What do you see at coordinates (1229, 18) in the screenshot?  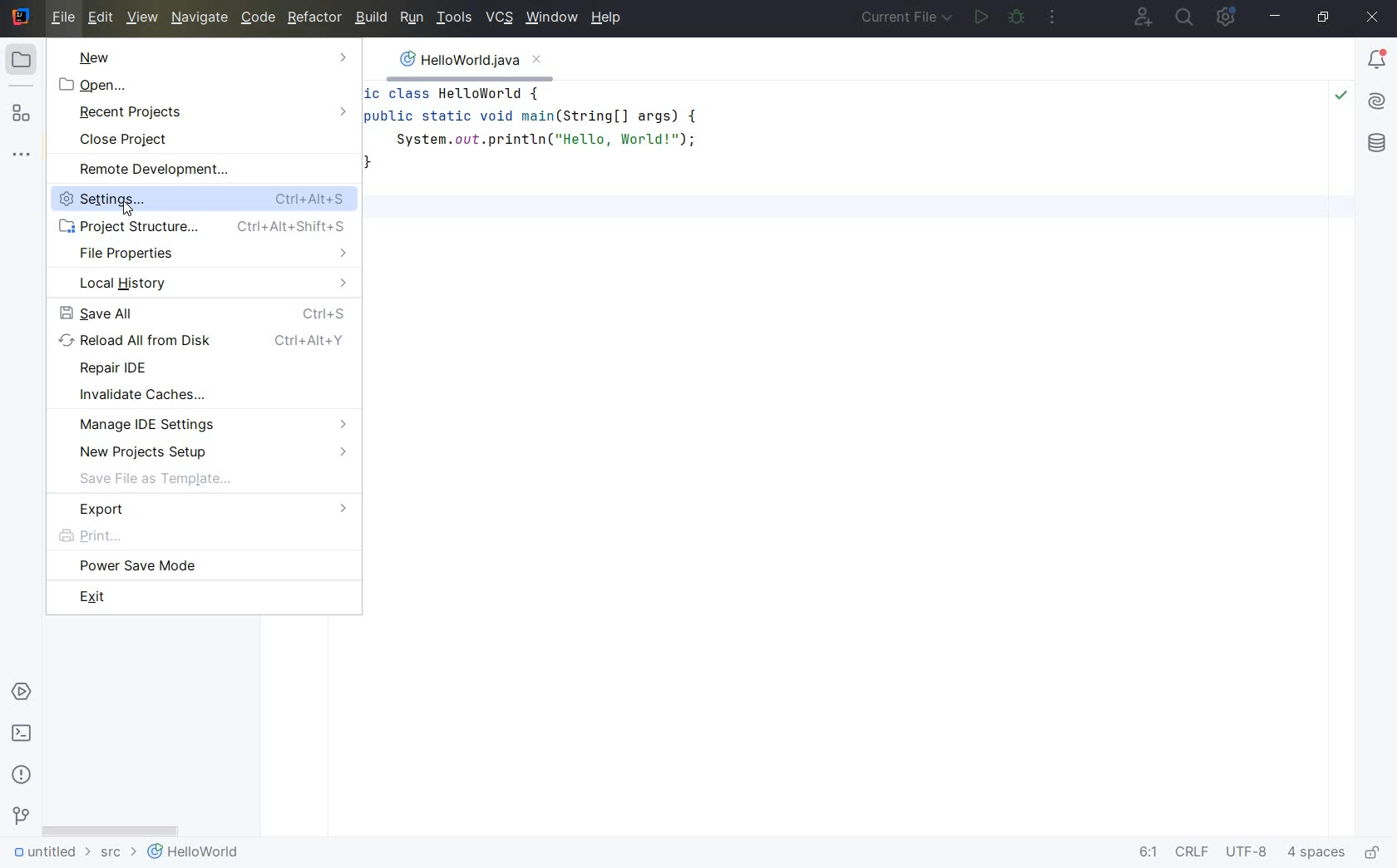 I see `IDE and Project Settings` at bounding box center [1229, 18].